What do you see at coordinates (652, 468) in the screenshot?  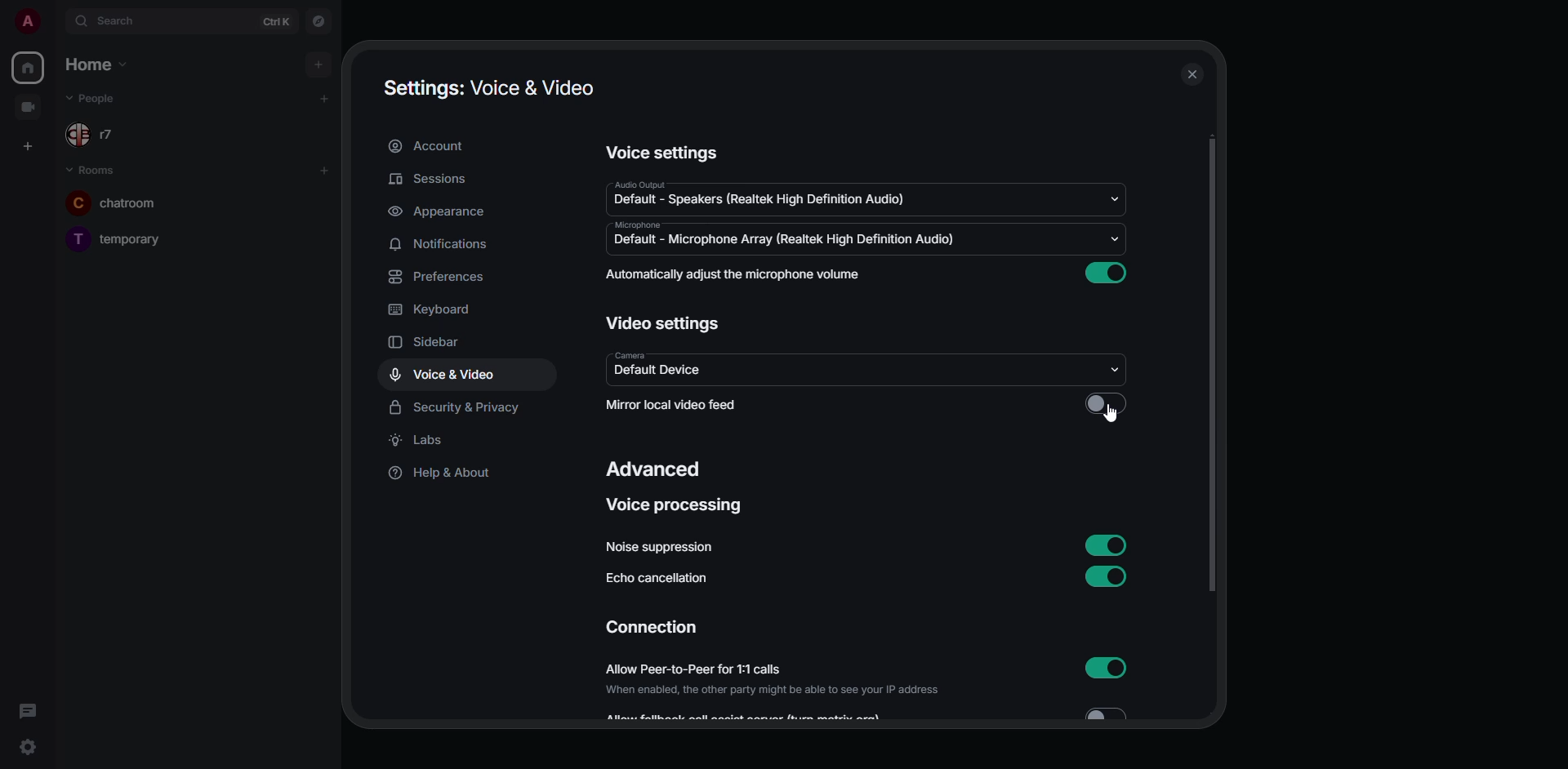 I see `advanced` at bounding box center [652, 468].